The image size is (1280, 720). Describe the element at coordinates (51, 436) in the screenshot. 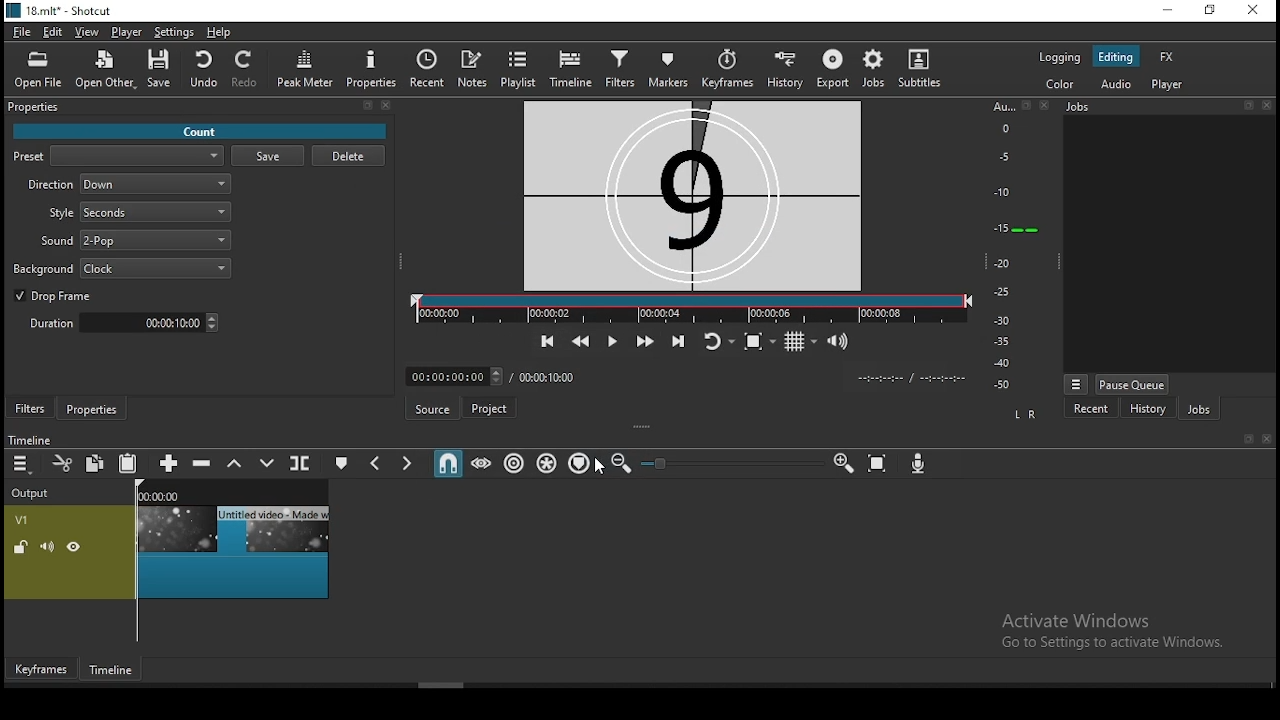

I see `Timeline` at that location.